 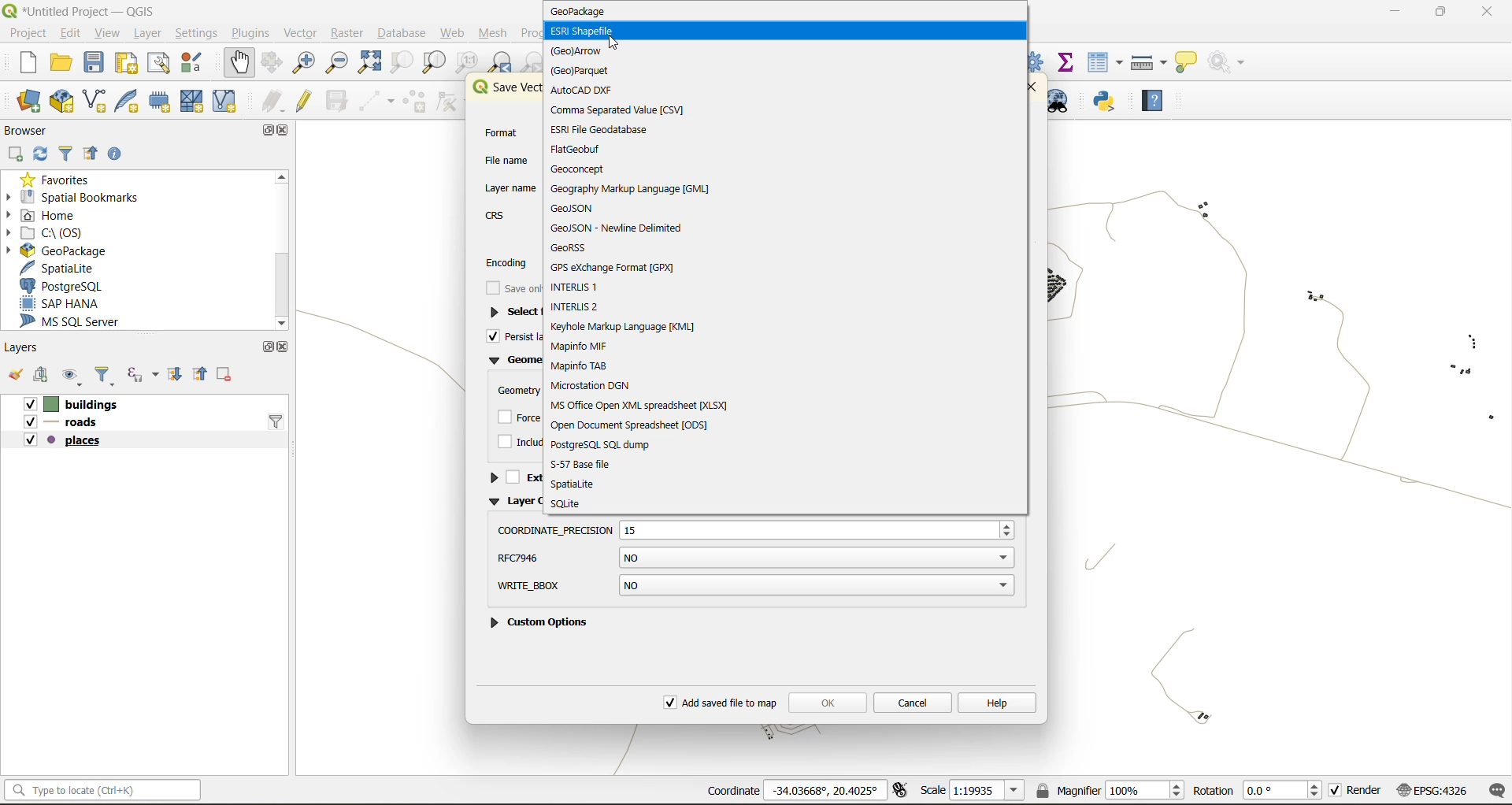 What do you see at coordinates (583, 69) in the screenshot?
I see `parquet` at bounding box center [583, 69].